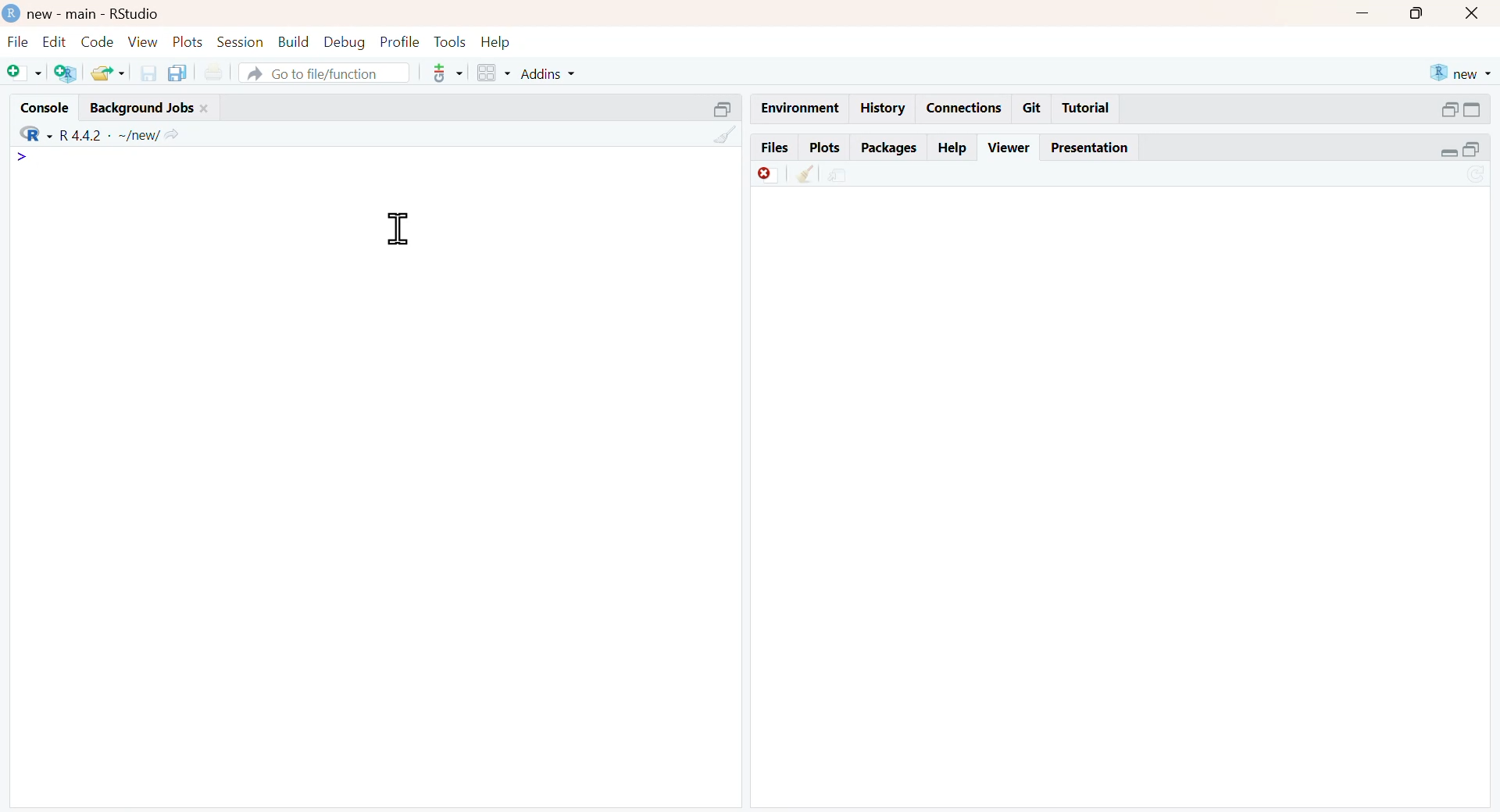 The height and width of the screenshot is (812, 1500). I want to click on Minimize, so click(712, 107).